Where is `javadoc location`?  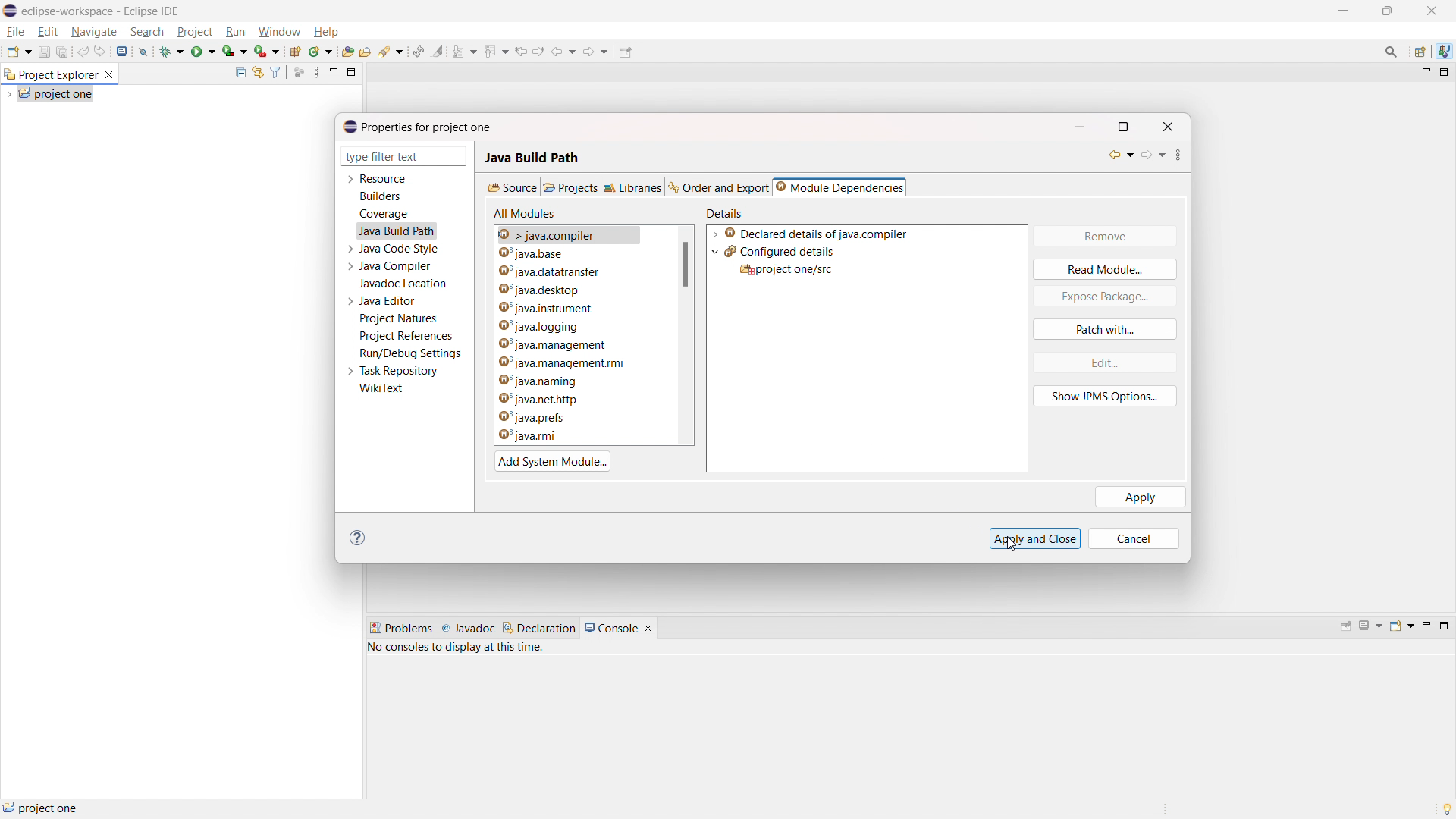
javadoc location is located at coordinates (404, 284).